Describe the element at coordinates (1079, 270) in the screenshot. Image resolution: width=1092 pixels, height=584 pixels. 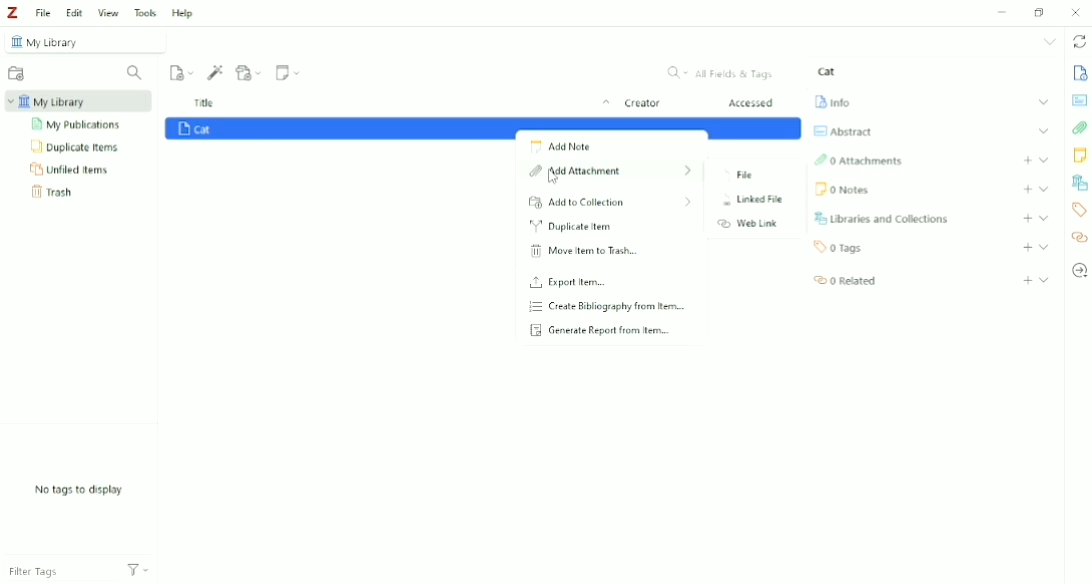
I see `Locate` at that location.